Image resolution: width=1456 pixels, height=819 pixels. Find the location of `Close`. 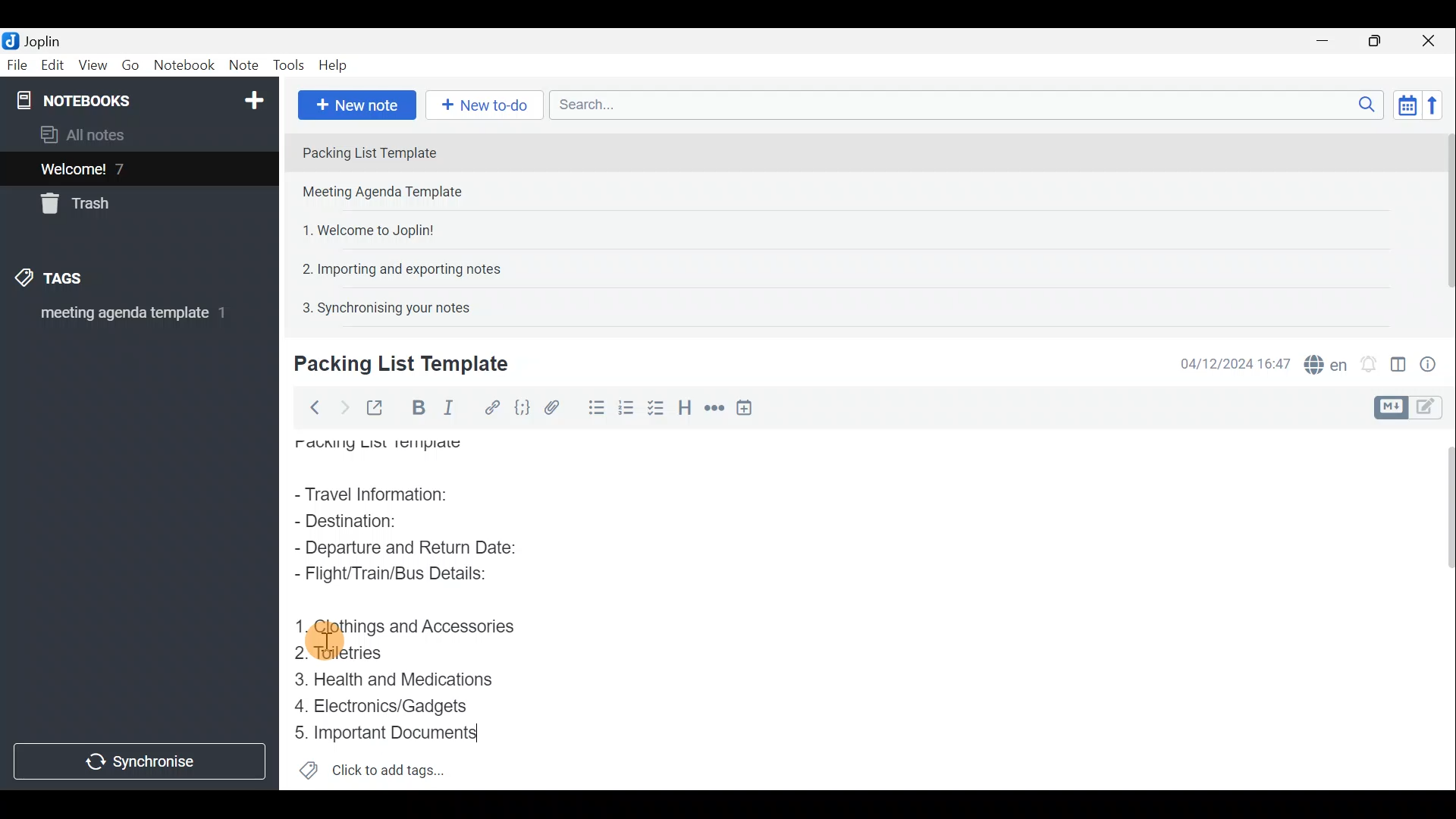

Close is located at coordinates (1433, 40).